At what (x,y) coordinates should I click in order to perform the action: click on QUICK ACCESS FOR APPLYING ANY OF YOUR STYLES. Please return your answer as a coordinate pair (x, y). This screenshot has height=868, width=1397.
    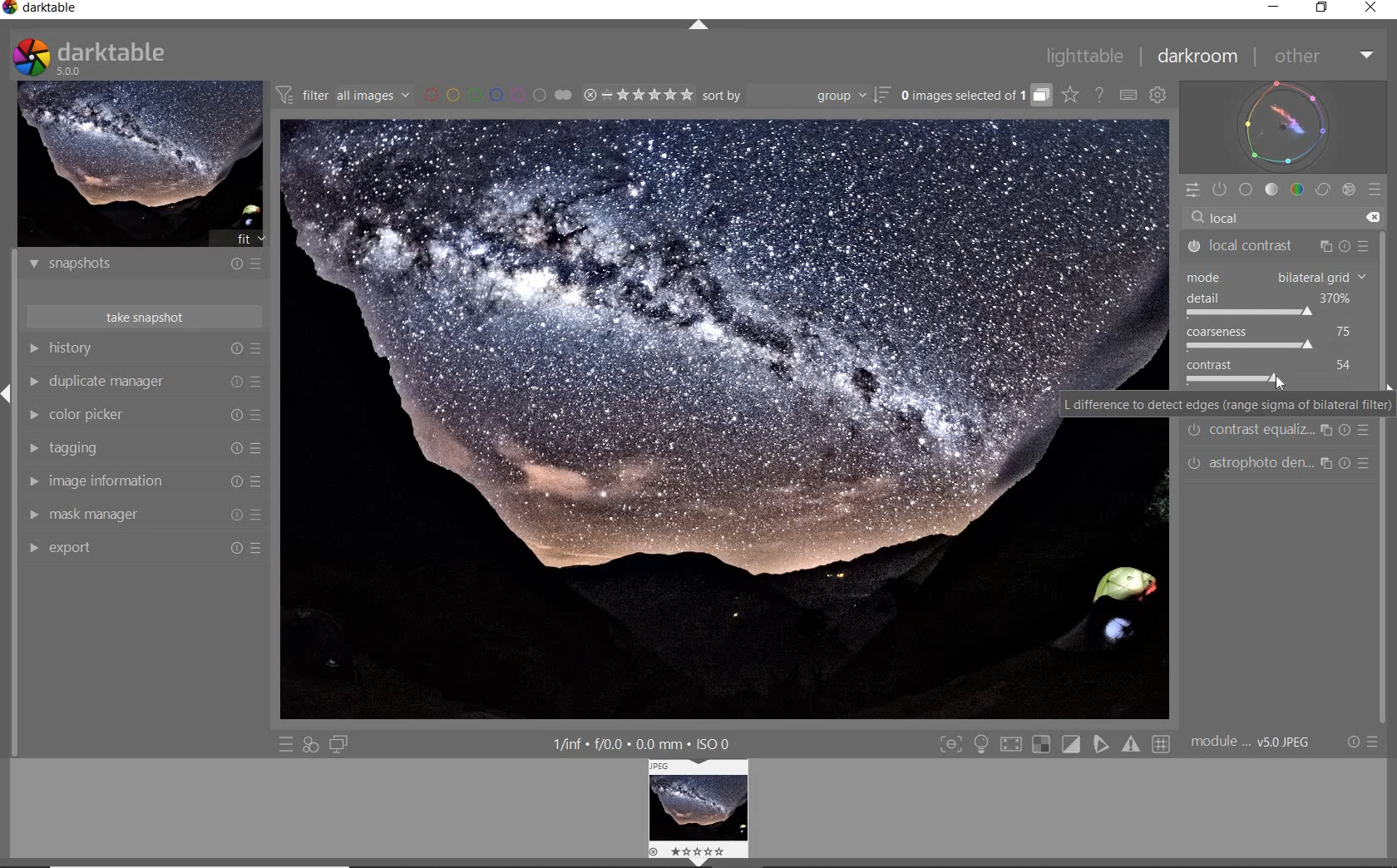
    Looking at the image, I should click on (309, 744).